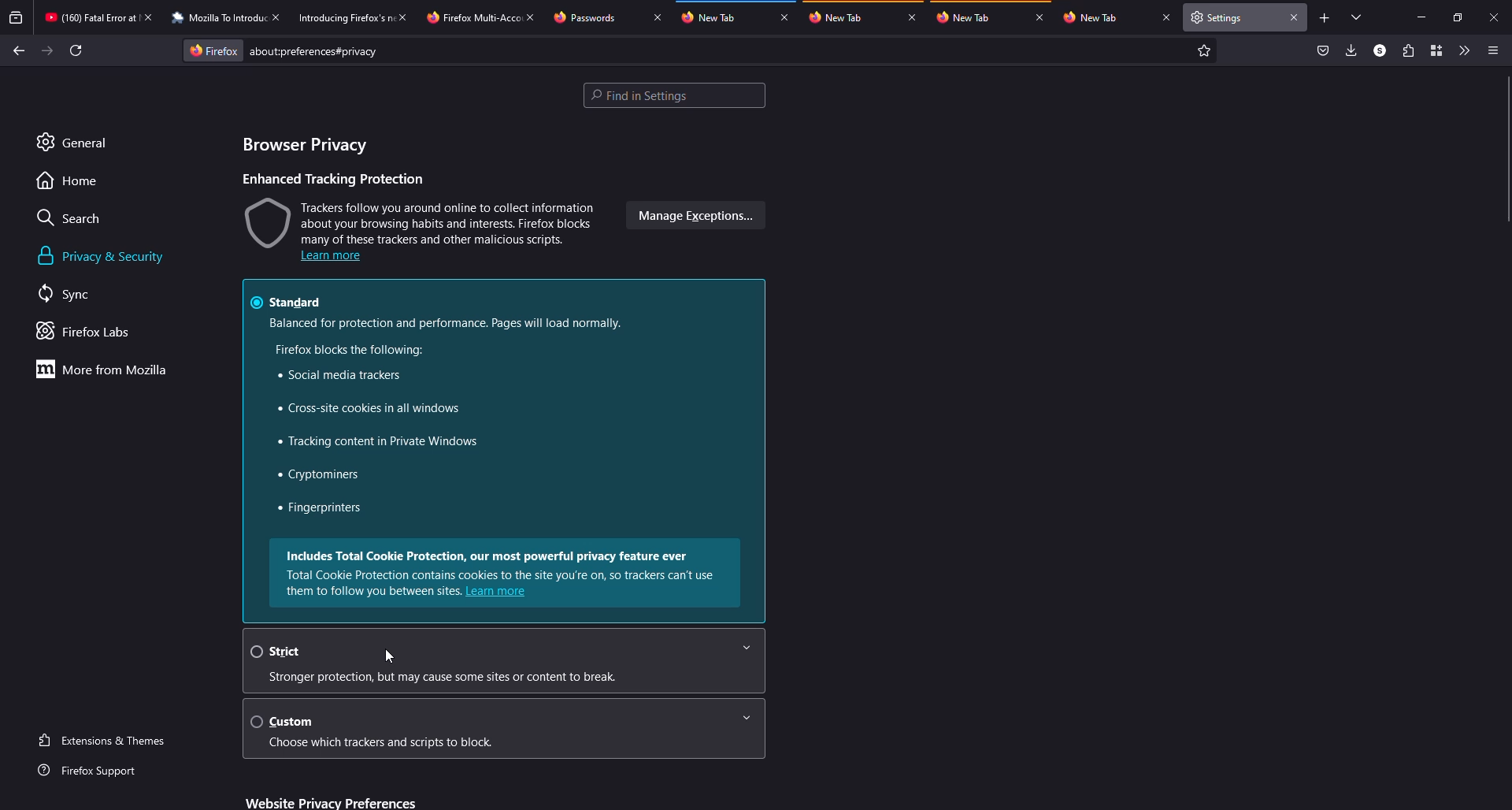 Image resolution: width=1512 pixels, height=810 pixels. Describe the element at coordinates (152, 17) in the screenshot. I see `close` at that location.